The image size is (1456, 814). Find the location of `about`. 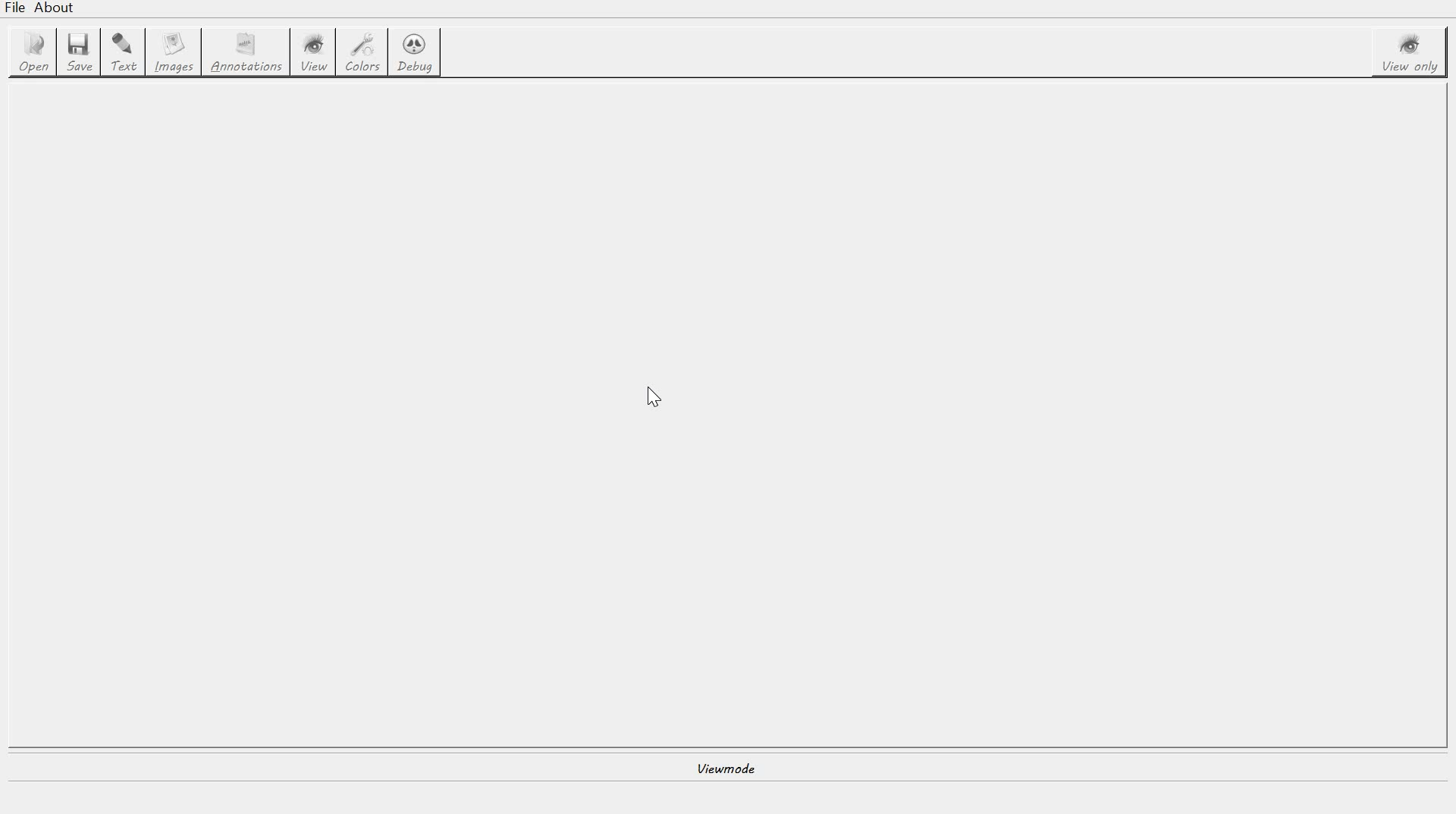

about is located at coordinates (55, 9).